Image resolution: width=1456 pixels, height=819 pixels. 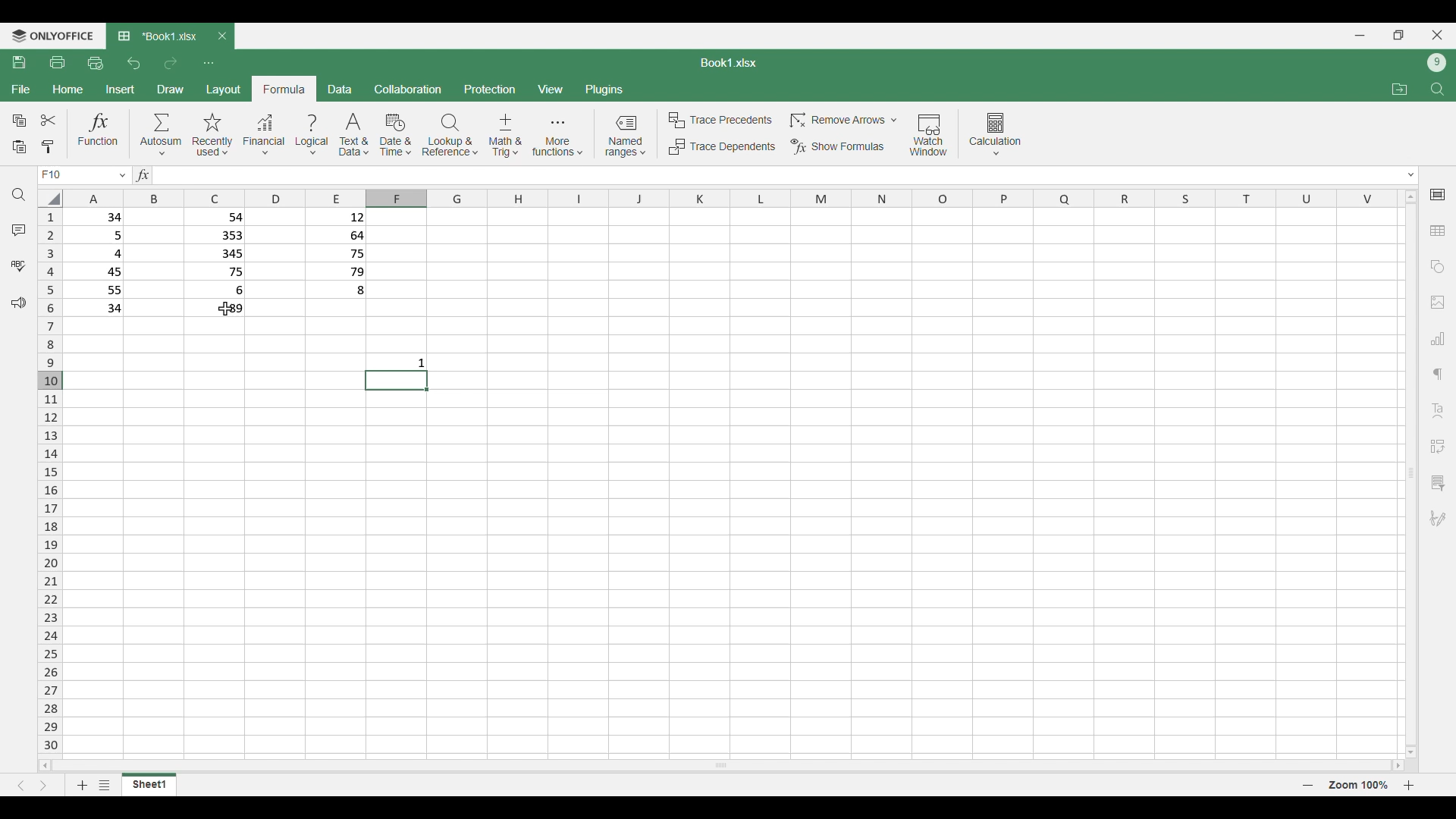 I want to click on Paragraph setting, so click(x=1439, y=375).